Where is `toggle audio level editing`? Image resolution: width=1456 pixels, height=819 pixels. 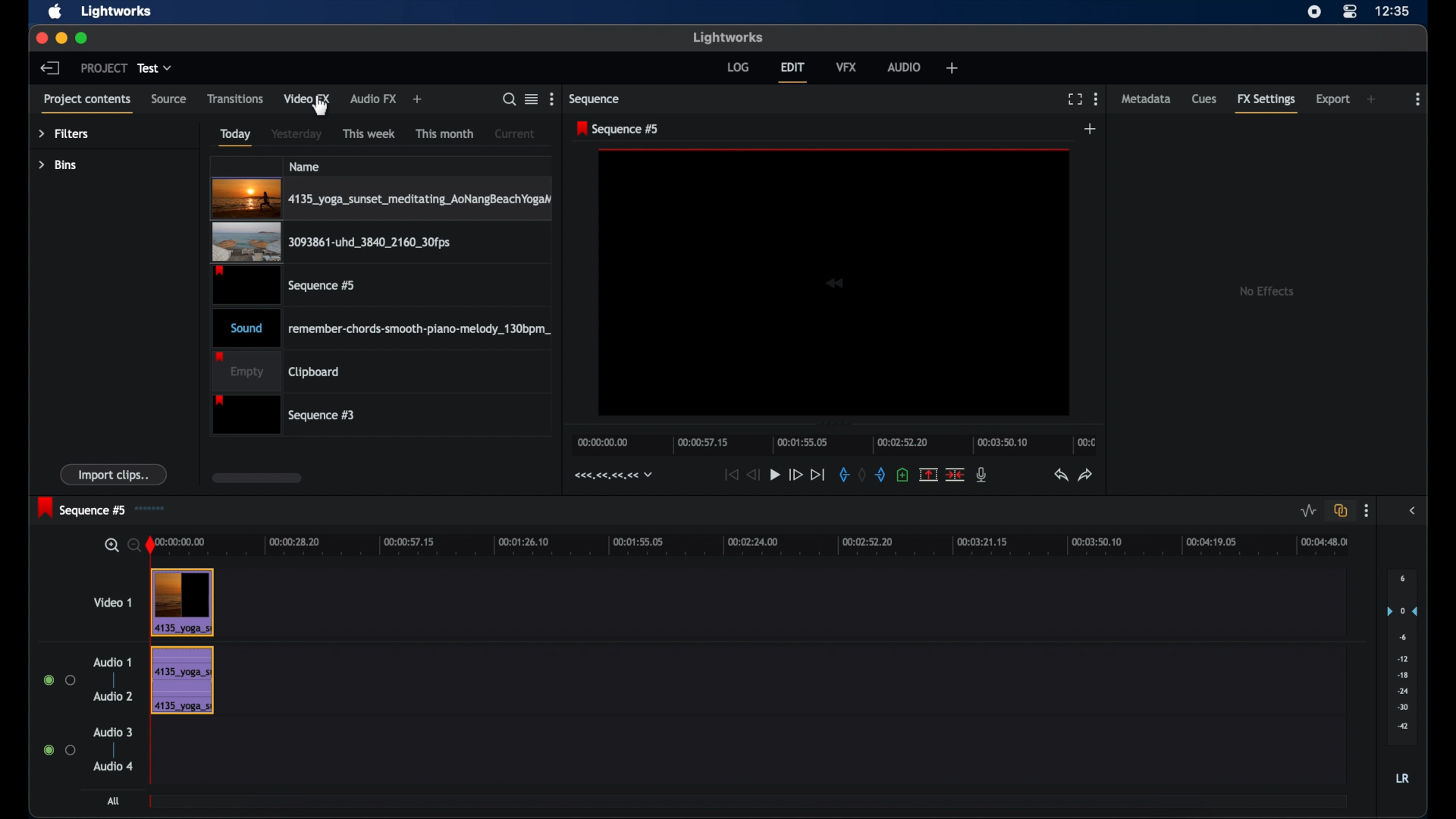
toggle audio level editing is located at coordinates (1306, 511).